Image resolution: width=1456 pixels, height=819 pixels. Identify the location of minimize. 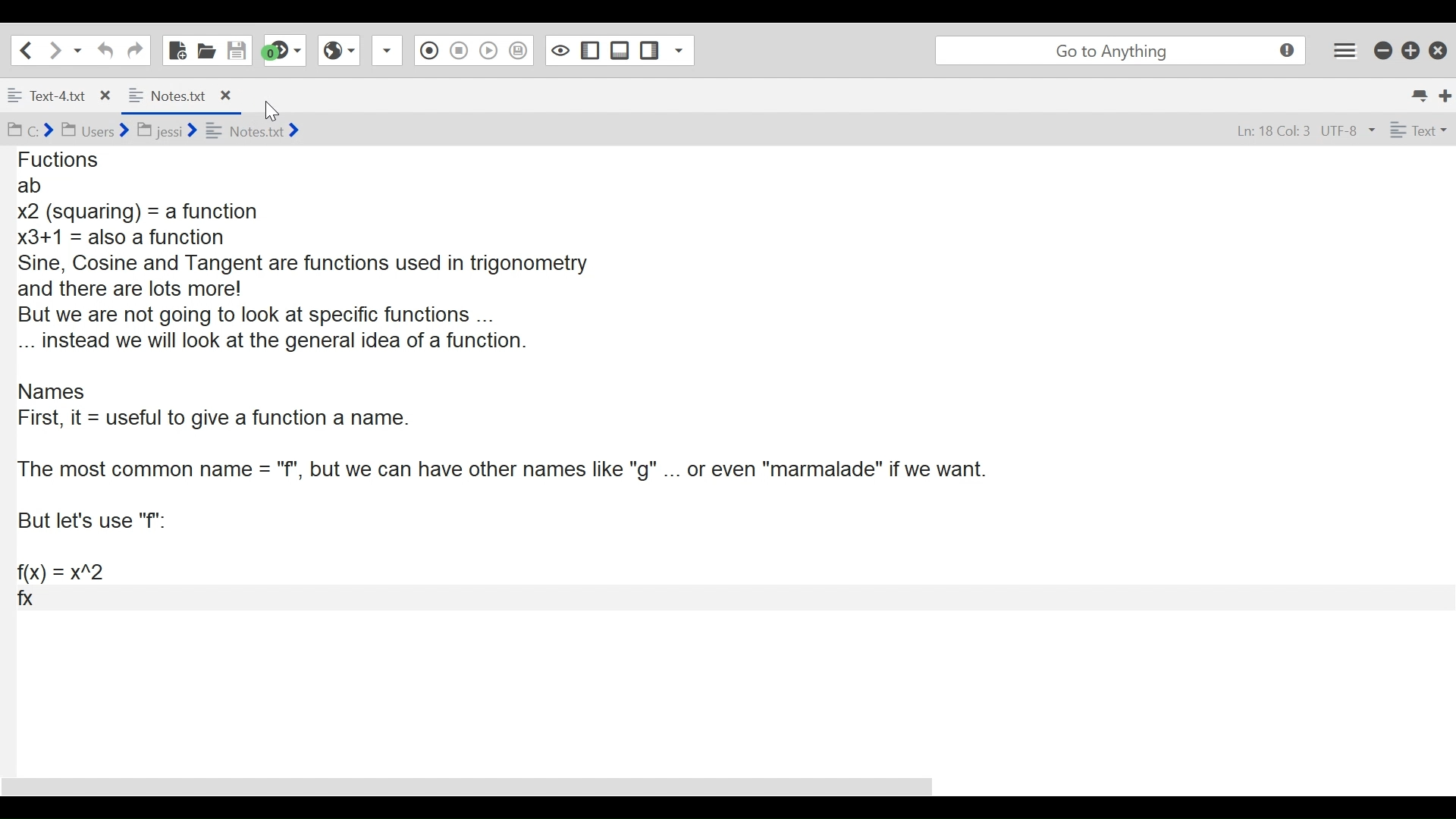
(1382, 50).